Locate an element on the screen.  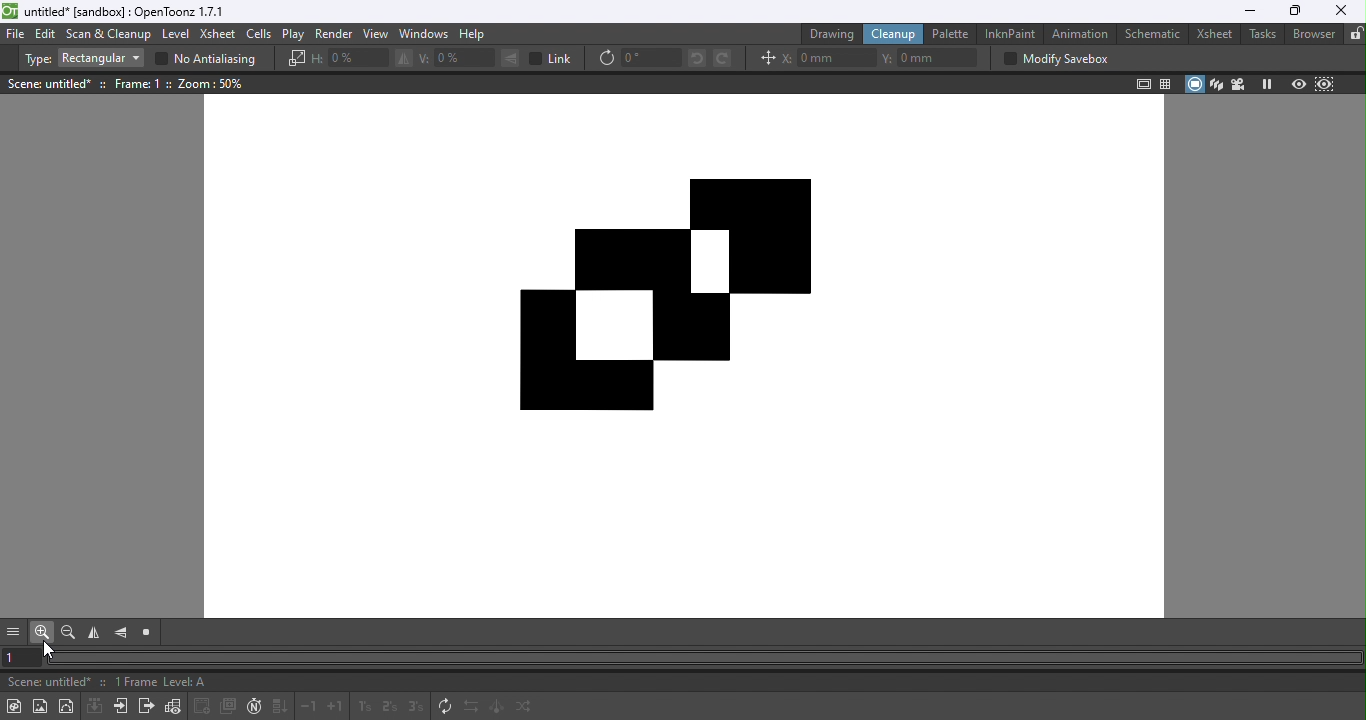
Camera stand view is located at coordinates (1194, 84).